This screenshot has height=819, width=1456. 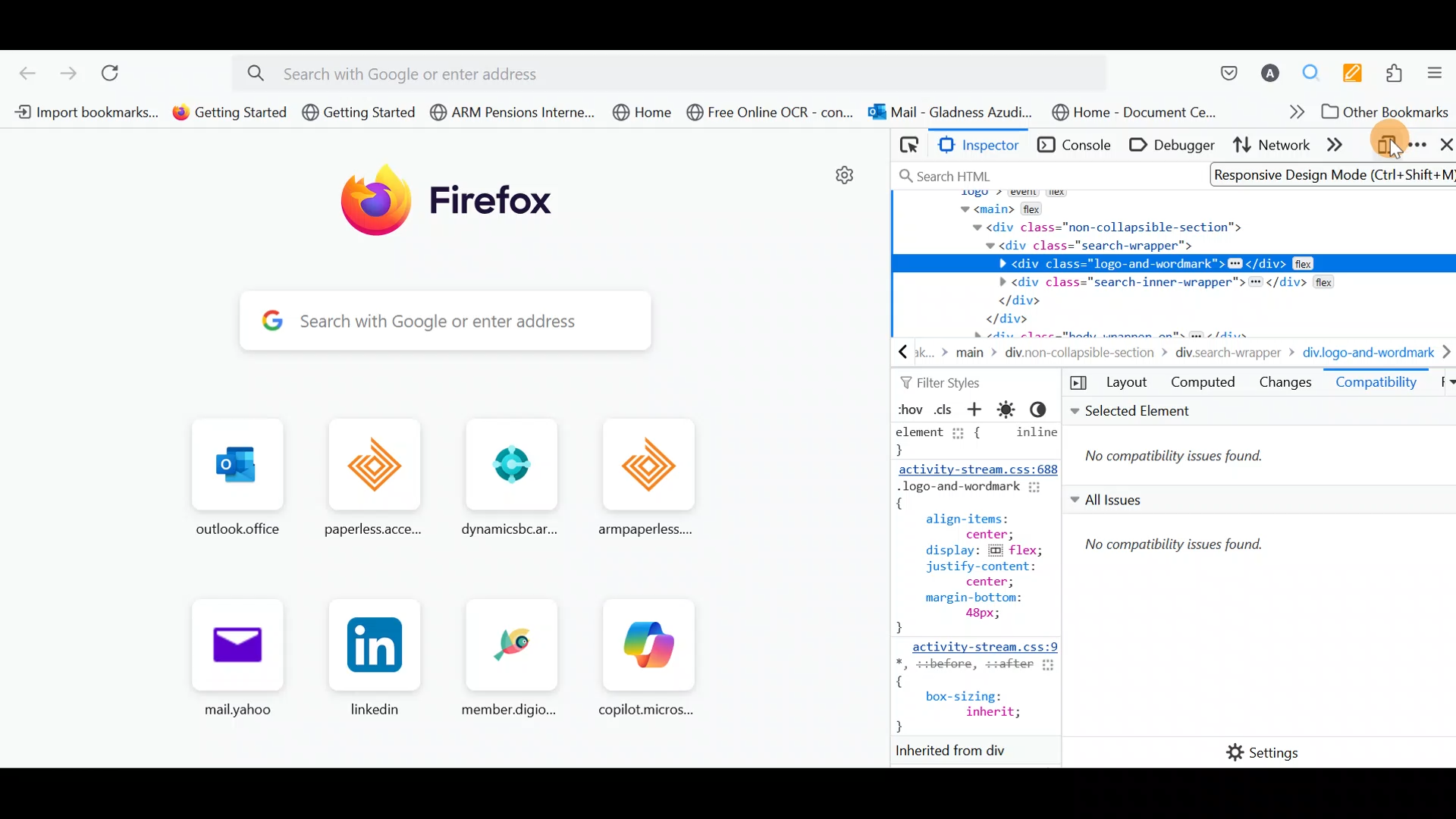 I want to click on Console, so click(x=1072, y=146).